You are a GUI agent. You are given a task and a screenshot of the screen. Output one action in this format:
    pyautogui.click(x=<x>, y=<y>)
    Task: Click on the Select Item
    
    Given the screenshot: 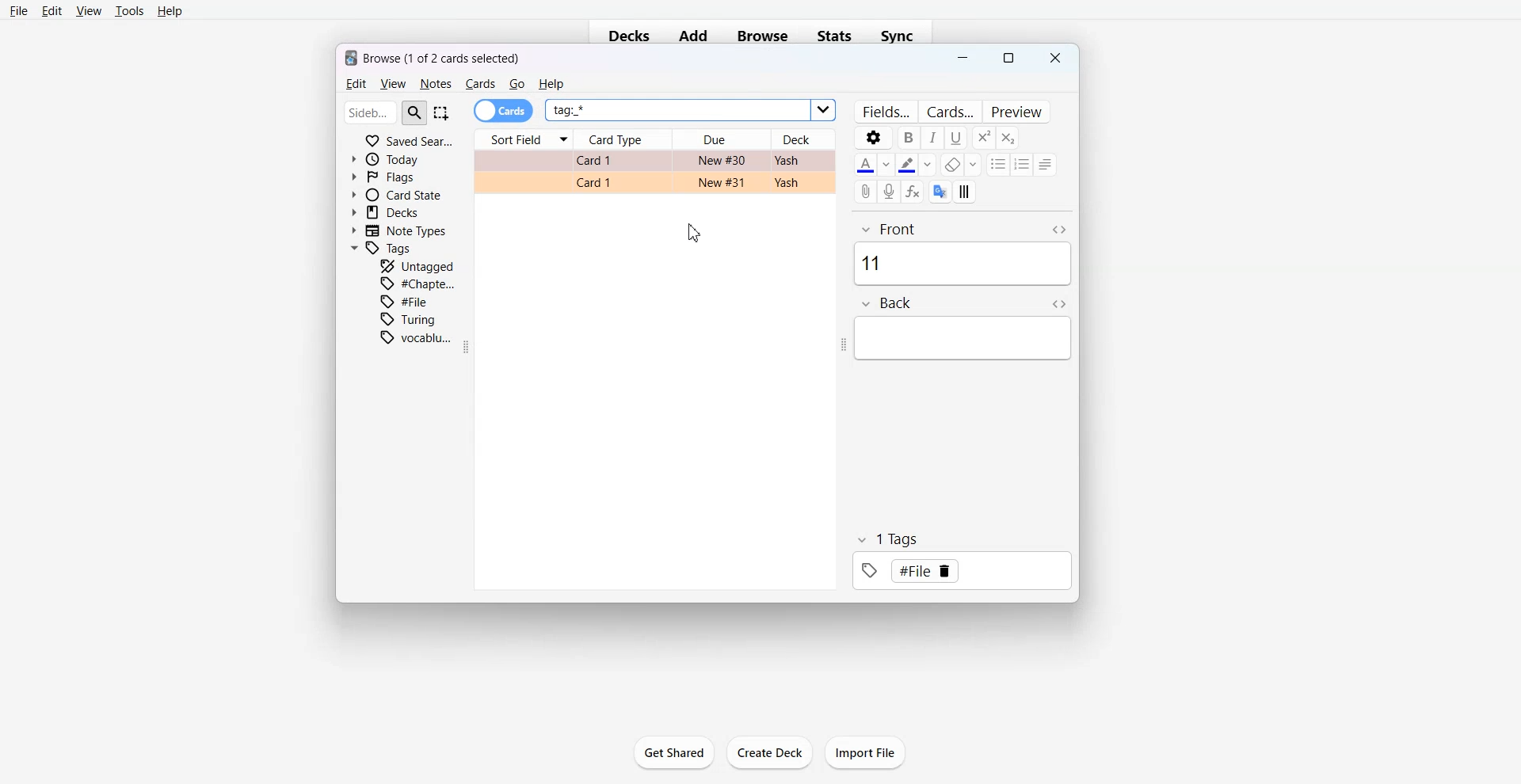 What is the action you would take?
    pyautogui.click(x=443, y=112)
    